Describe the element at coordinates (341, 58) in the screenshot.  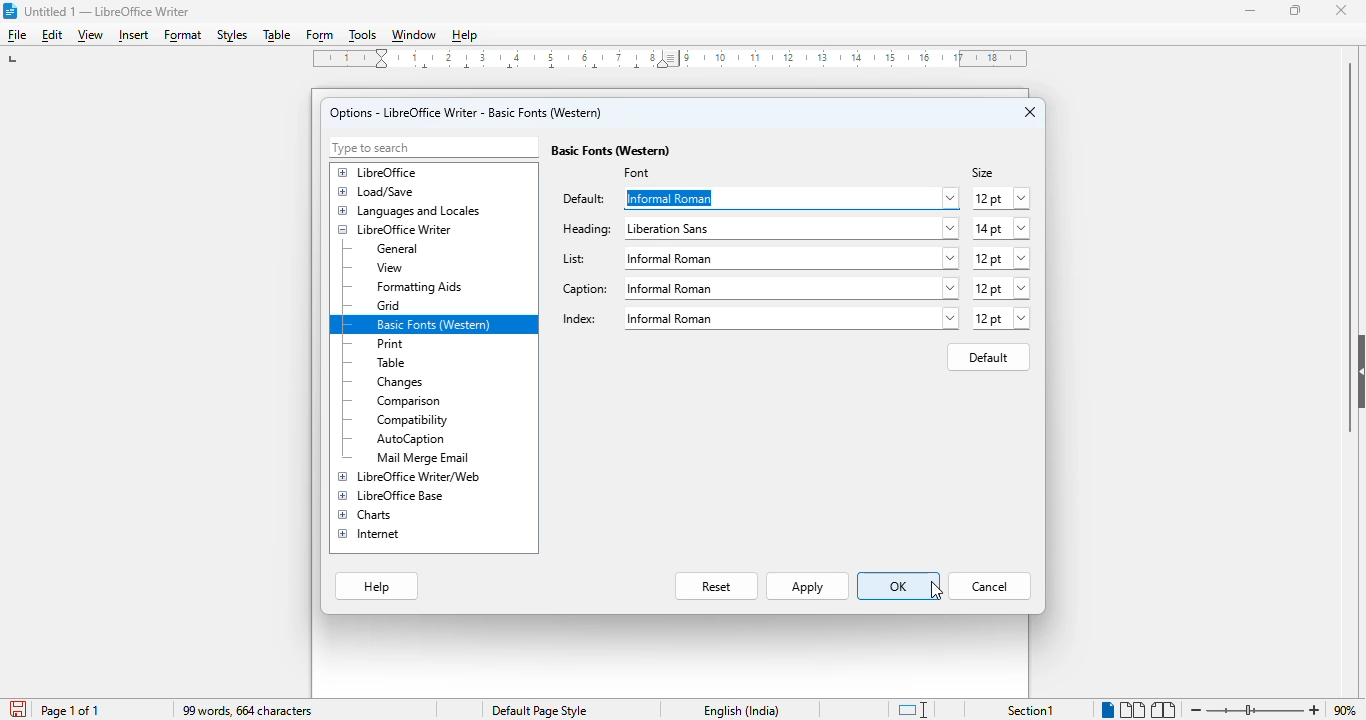
I see `1` at that location.